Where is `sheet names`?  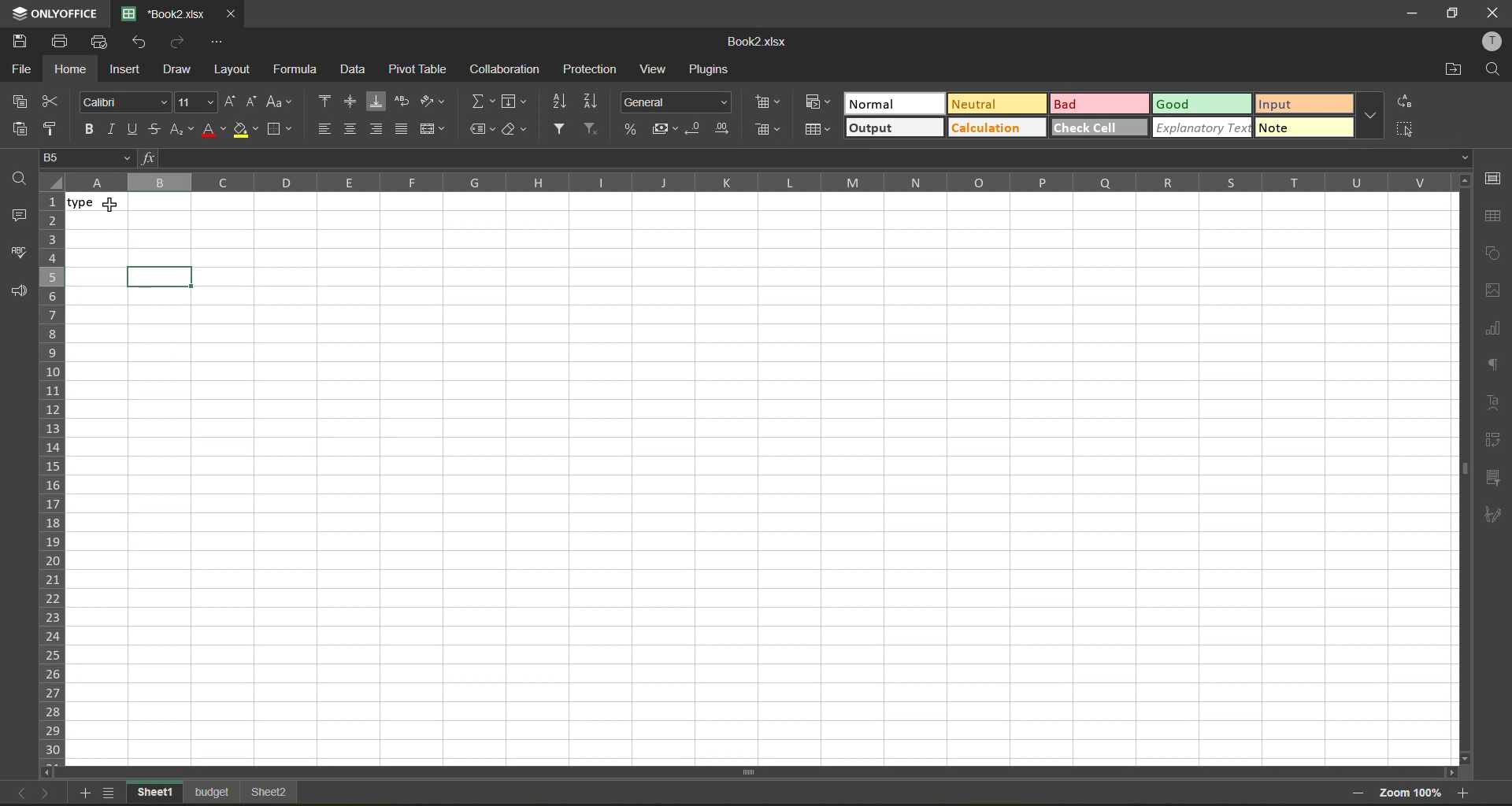 sheet names is located at coordinates (213, 794).